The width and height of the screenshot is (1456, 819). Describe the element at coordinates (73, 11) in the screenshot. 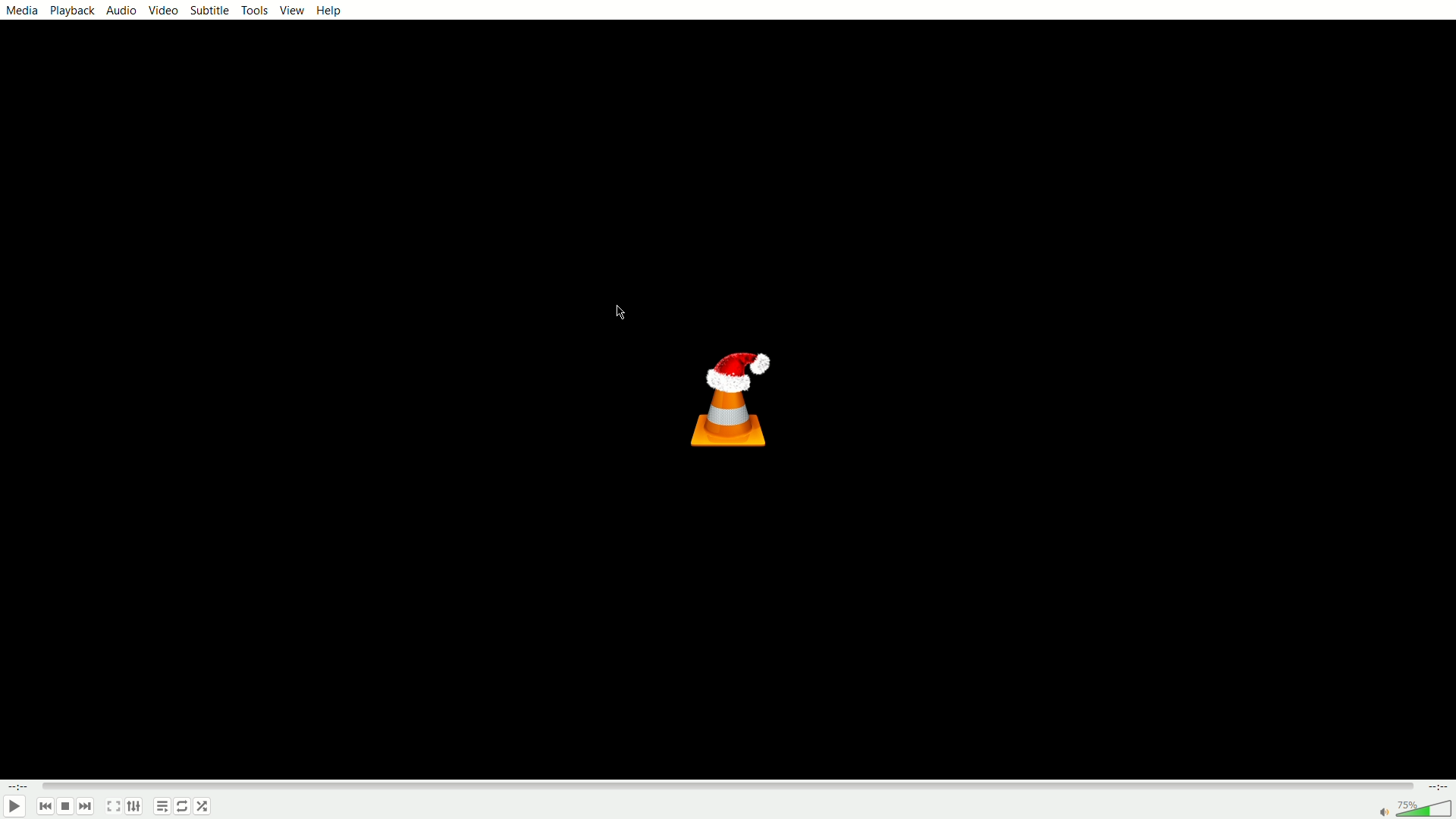

I see `playback` at that location.